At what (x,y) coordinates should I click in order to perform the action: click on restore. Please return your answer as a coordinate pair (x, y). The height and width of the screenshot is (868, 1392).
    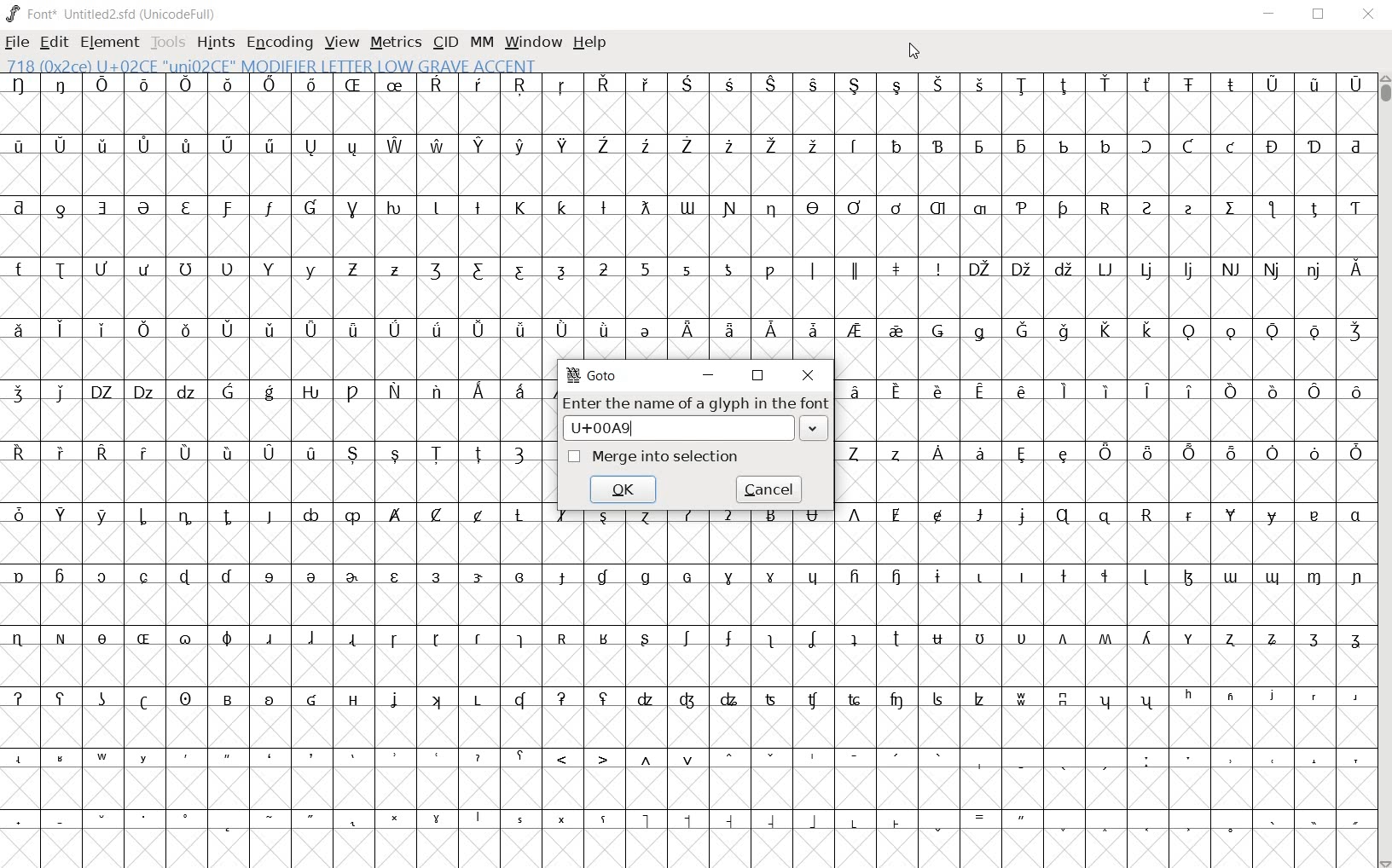
    Looking at the image, I should click on (1320, 14).